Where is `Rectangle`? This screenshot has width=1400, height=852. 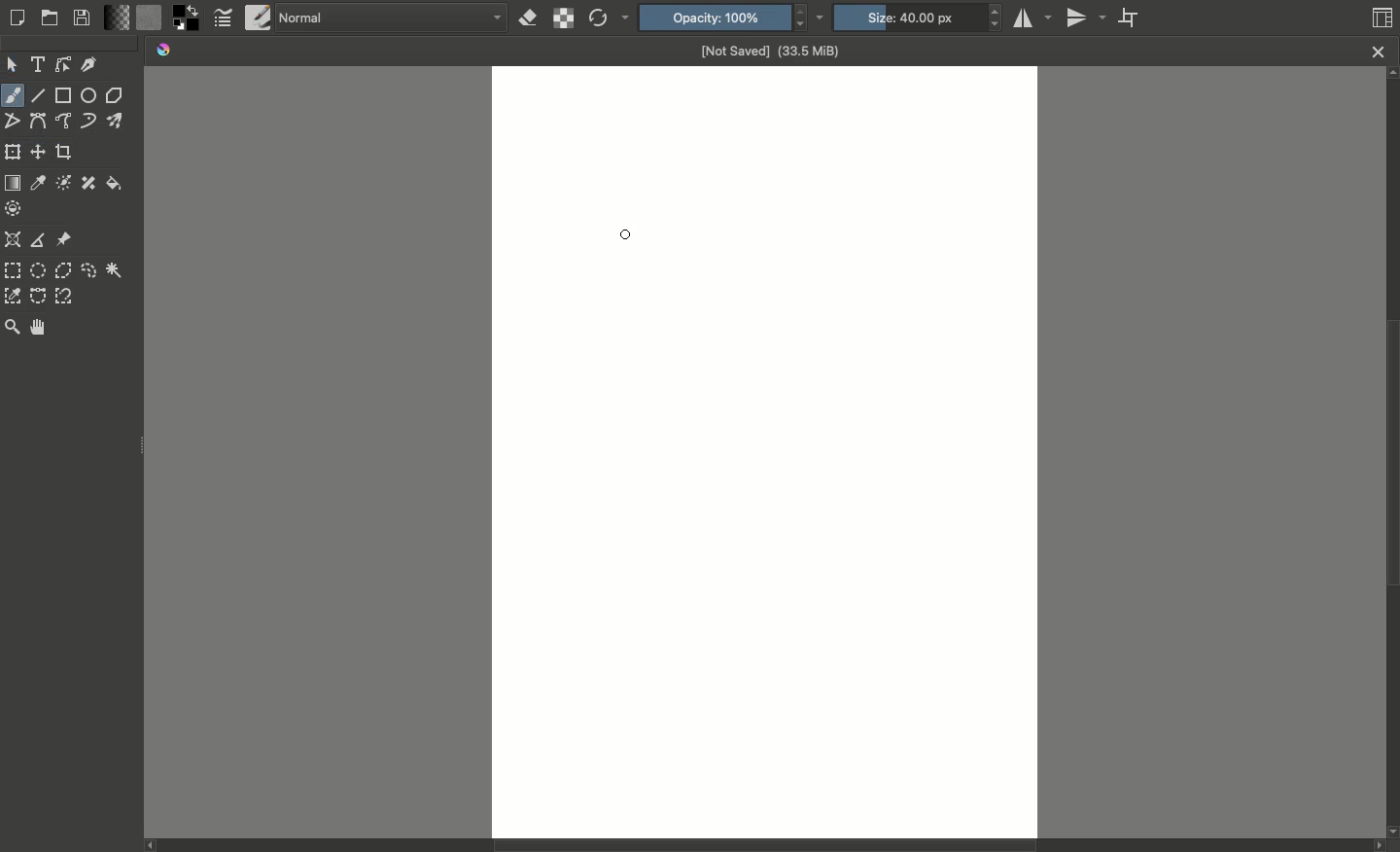 Rectangle is located at coordinates (64, 95).